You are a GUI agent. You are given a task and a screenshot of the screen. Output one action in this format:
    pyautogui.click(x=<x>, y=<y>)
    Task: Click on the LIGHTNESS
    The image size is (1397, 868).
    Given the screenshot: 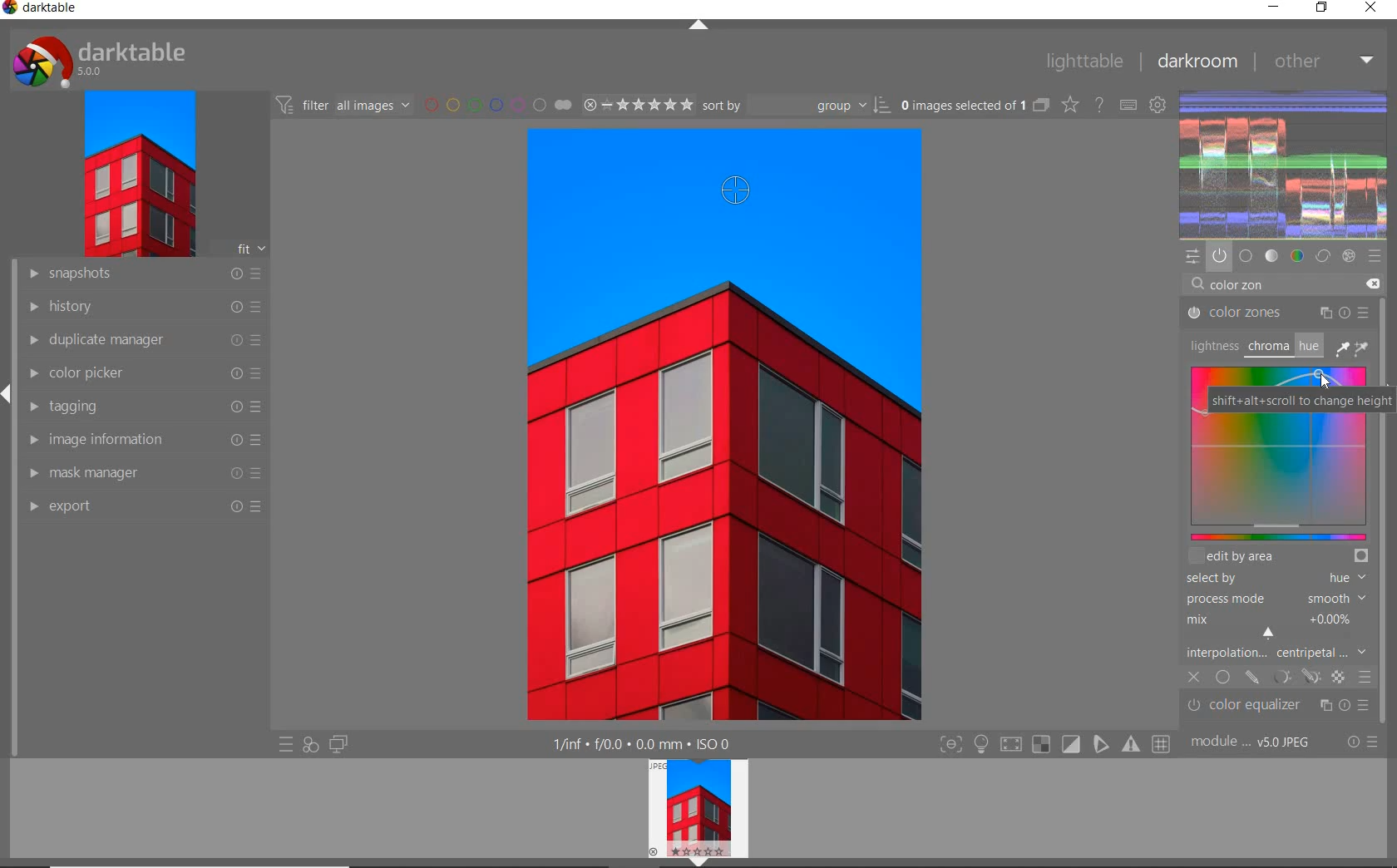 What is the action you would take?
    pyautogui.click(x=1212, y=345)
    